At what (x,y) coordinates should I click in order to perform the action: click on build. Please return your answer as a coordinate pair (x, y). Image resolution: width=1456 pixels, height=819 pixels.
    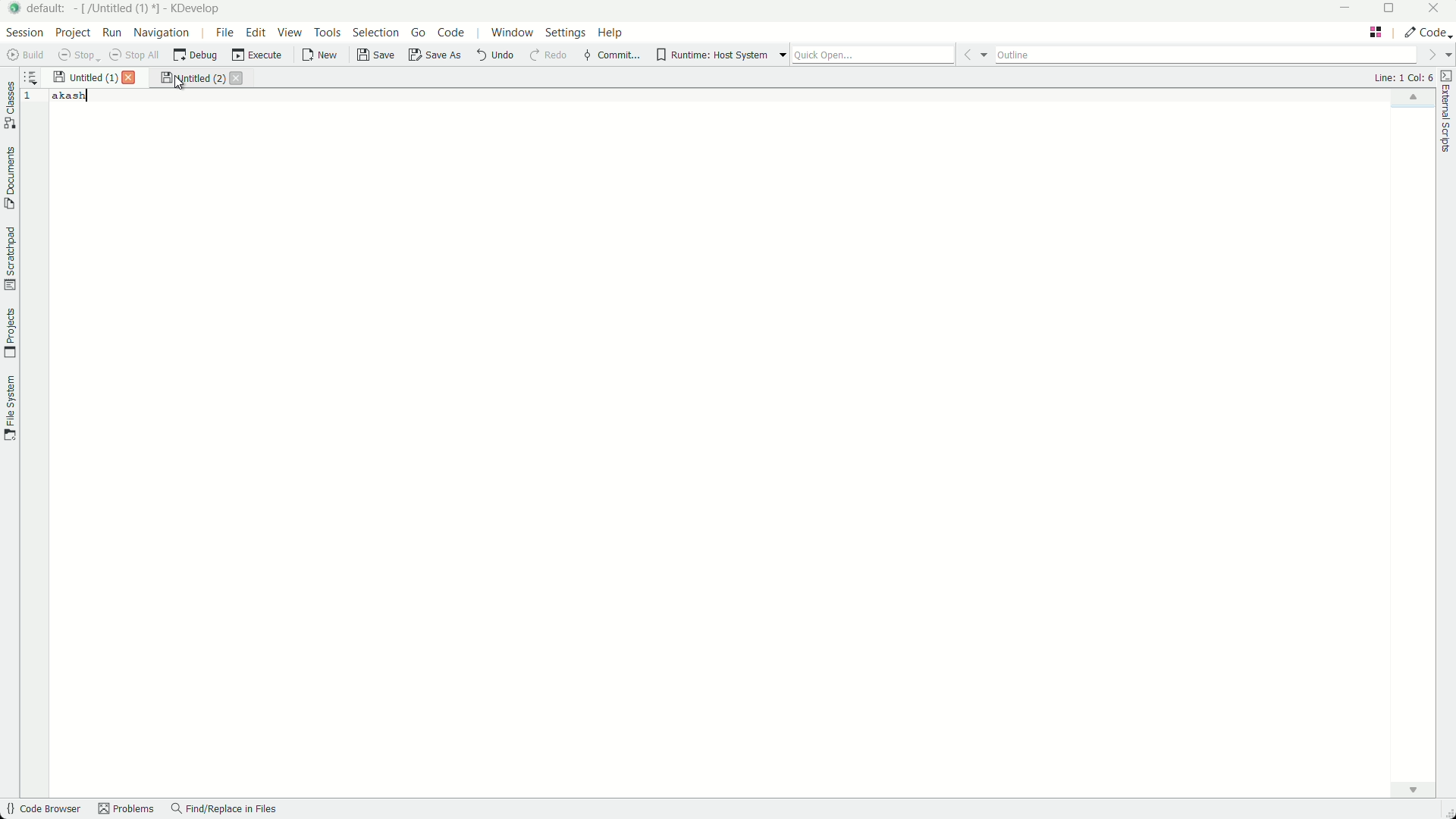
    Looking at the image, I should click on (25, 57).